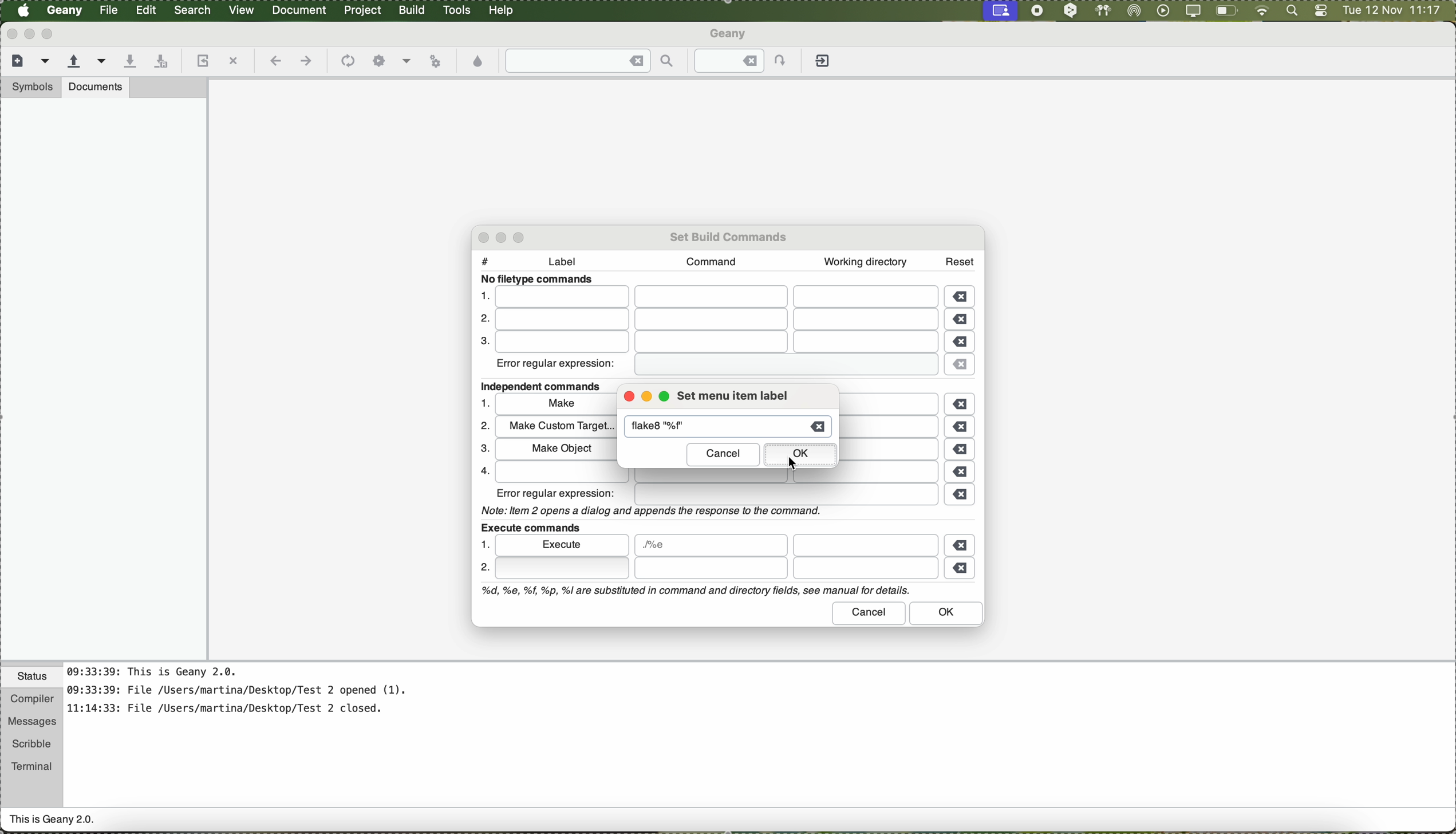  I want to click on maximize, so click(50, 34).